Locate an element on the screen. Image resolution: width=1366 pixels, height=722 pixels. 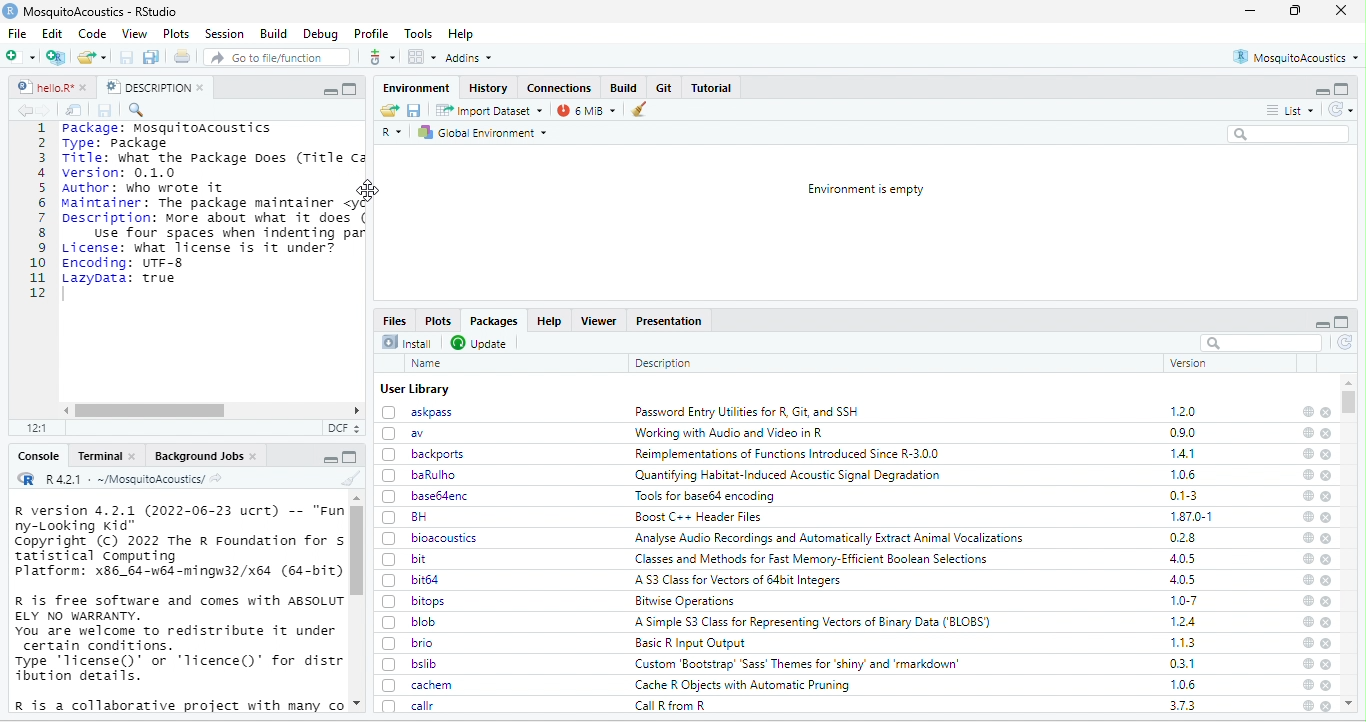
close is located at coordinates (1326, 538).